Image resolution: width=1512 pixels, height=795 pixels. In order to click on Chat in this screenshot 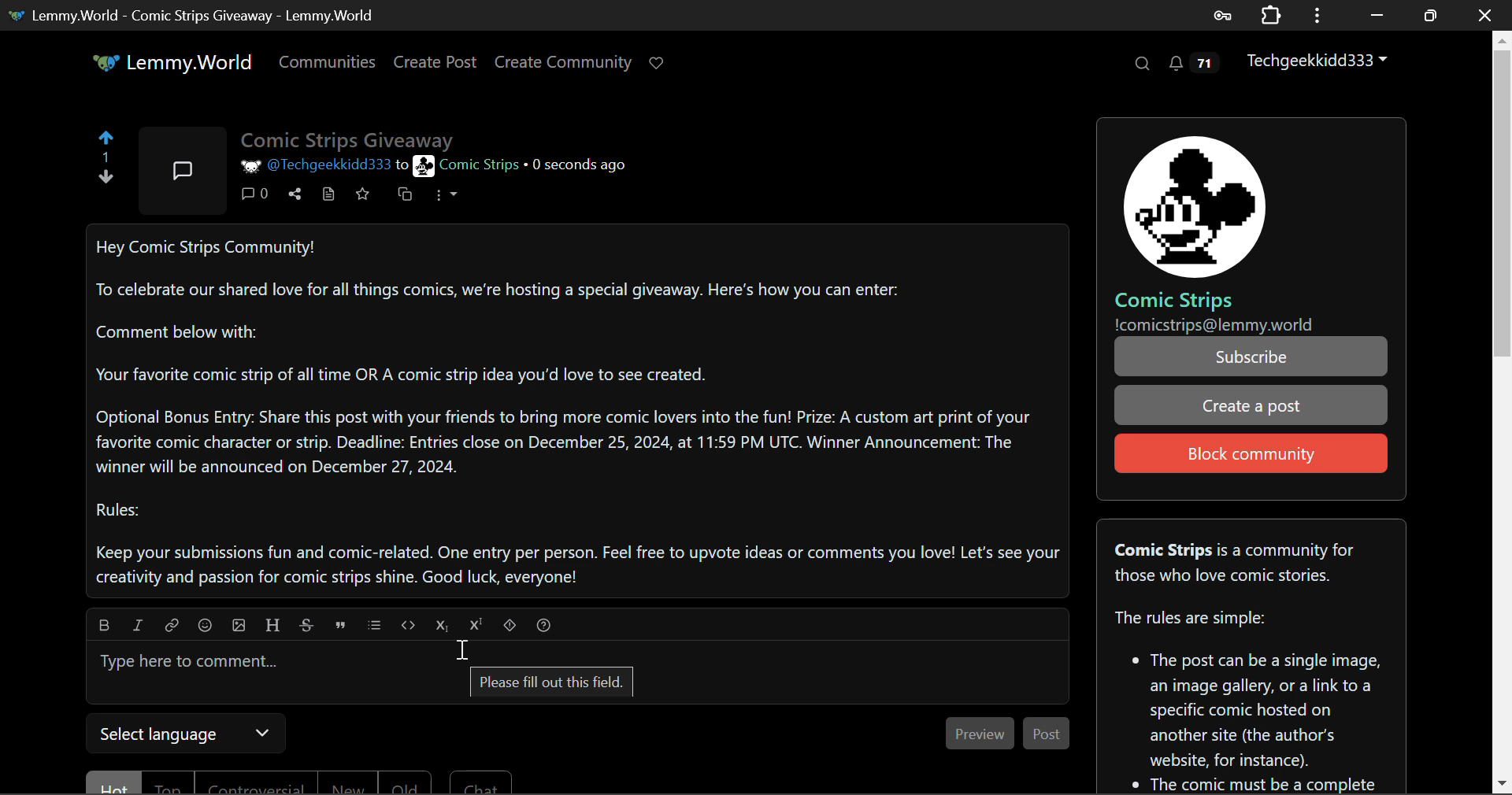, I will do `click(481, 782)`.